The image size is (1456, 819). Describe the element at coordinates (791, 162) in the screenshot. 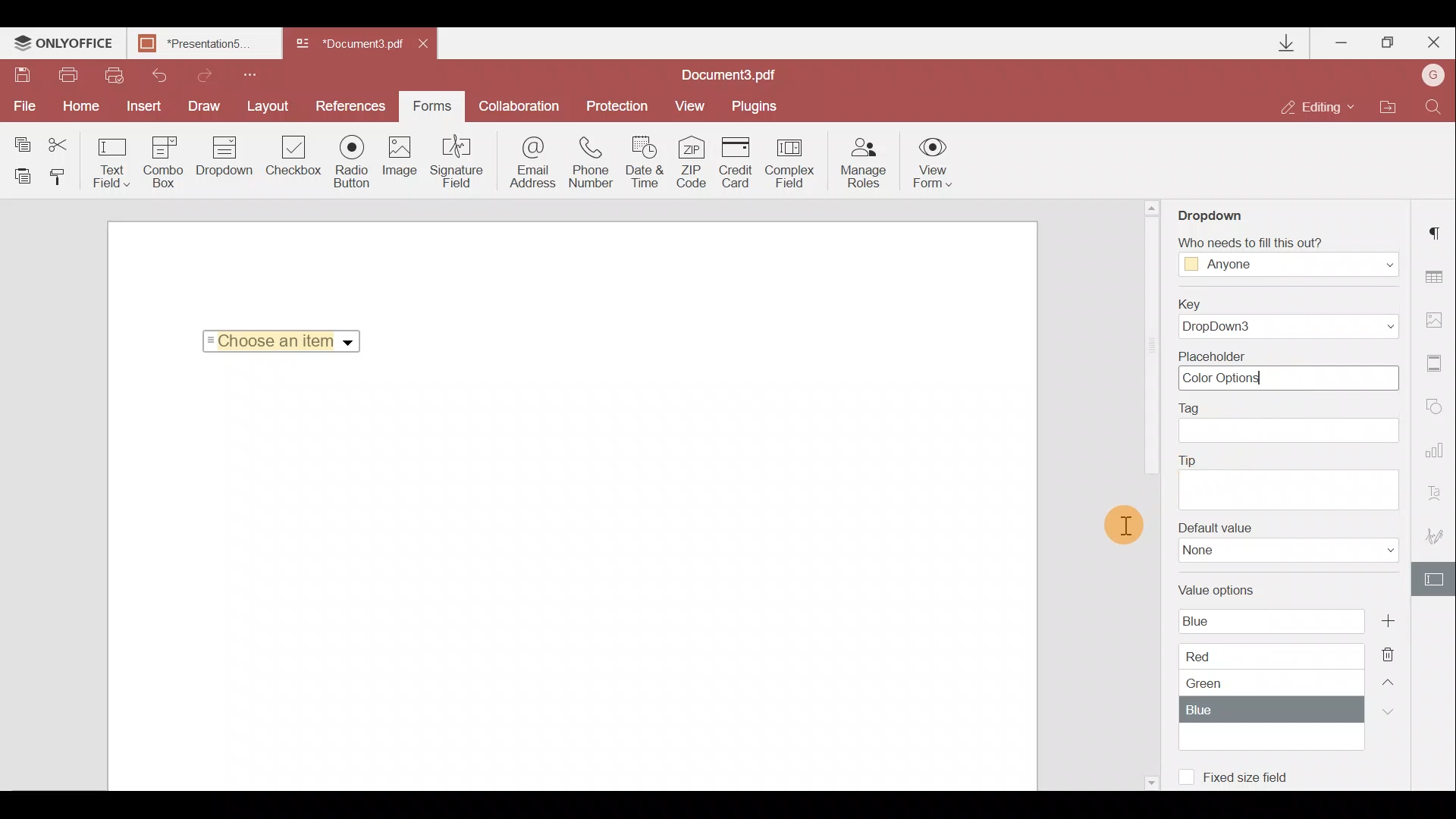

I see `Complex field` at that location.